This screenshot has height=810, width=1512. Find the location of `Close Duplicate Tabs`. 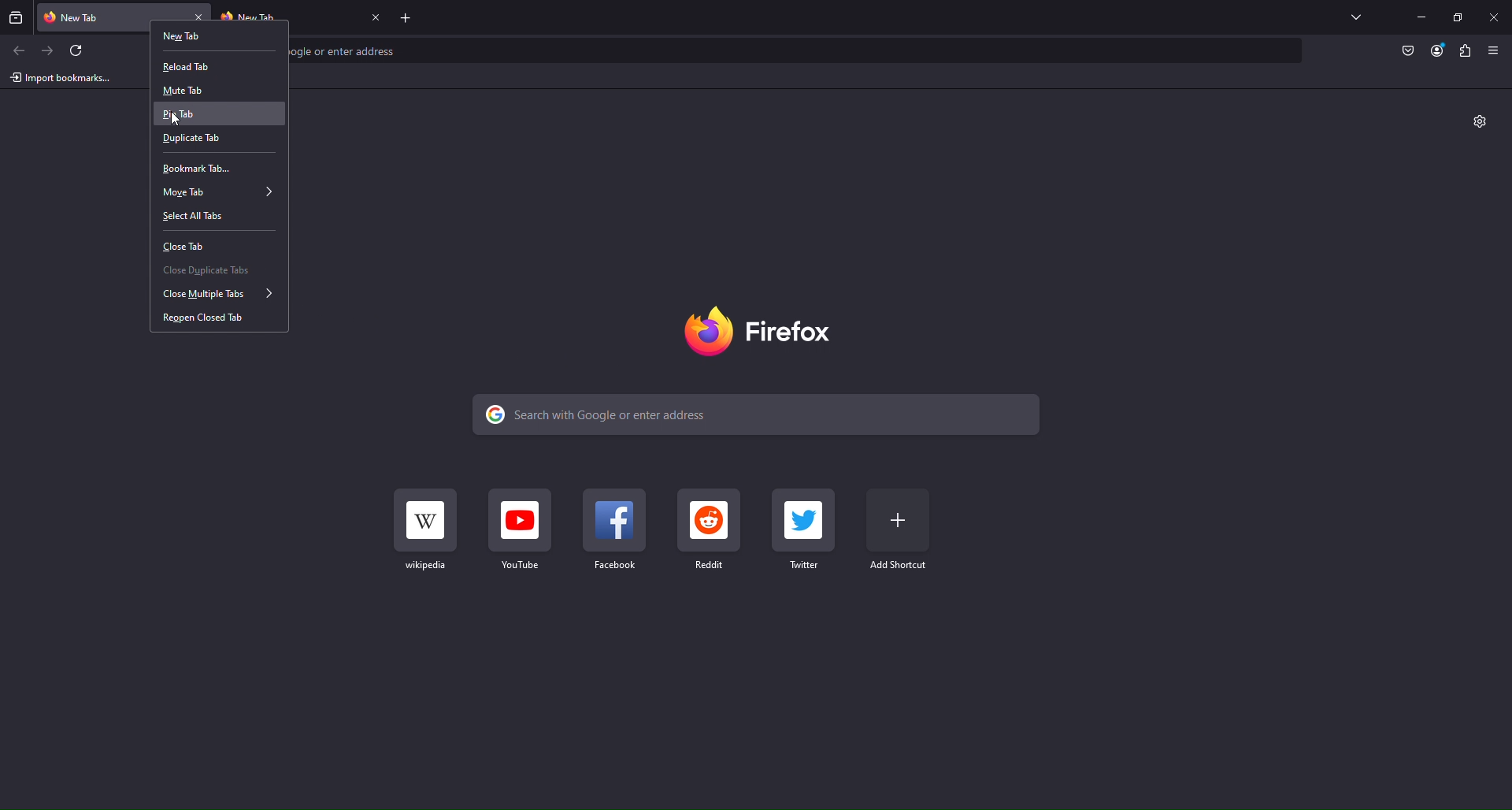

Close Duplicate Tabs is located at coordinates (219, 268).